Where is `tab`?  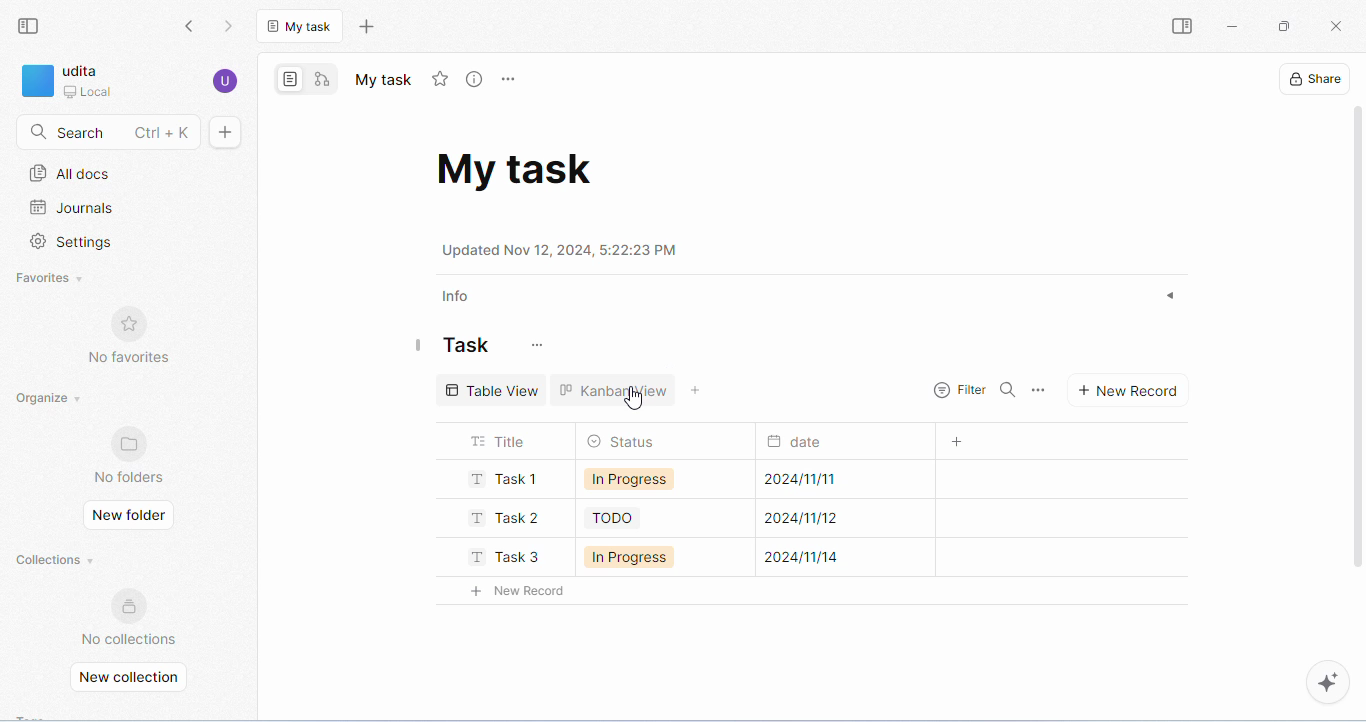 tab is located at coordinates (301, 25).